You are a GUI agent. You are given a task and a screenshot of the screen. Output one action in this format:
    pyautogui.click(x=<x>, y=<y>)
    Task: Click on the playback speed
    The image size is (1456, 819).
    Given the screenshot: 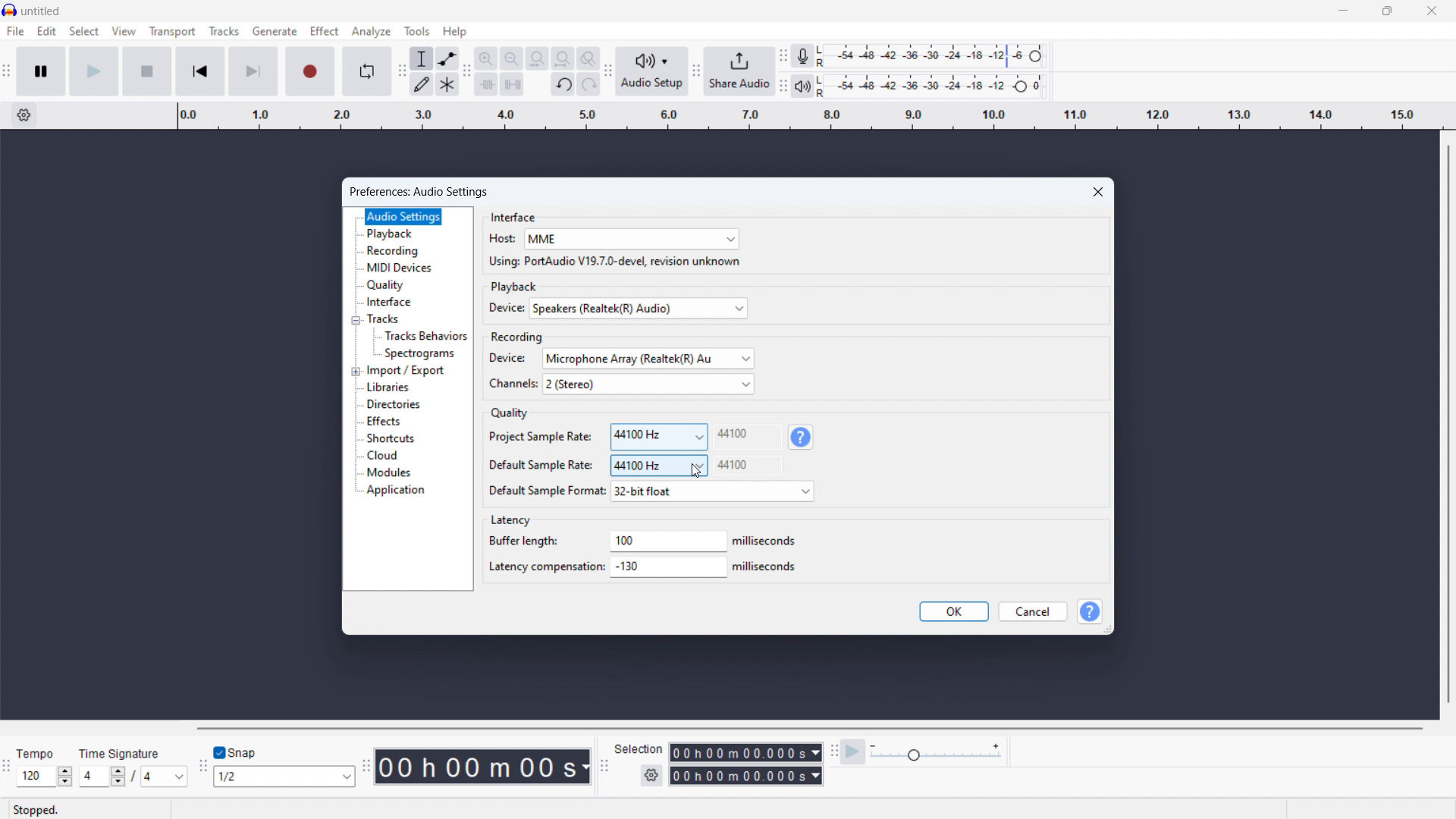 What is the action you would take?
    pyautogui.click(x=936, y=752)
    